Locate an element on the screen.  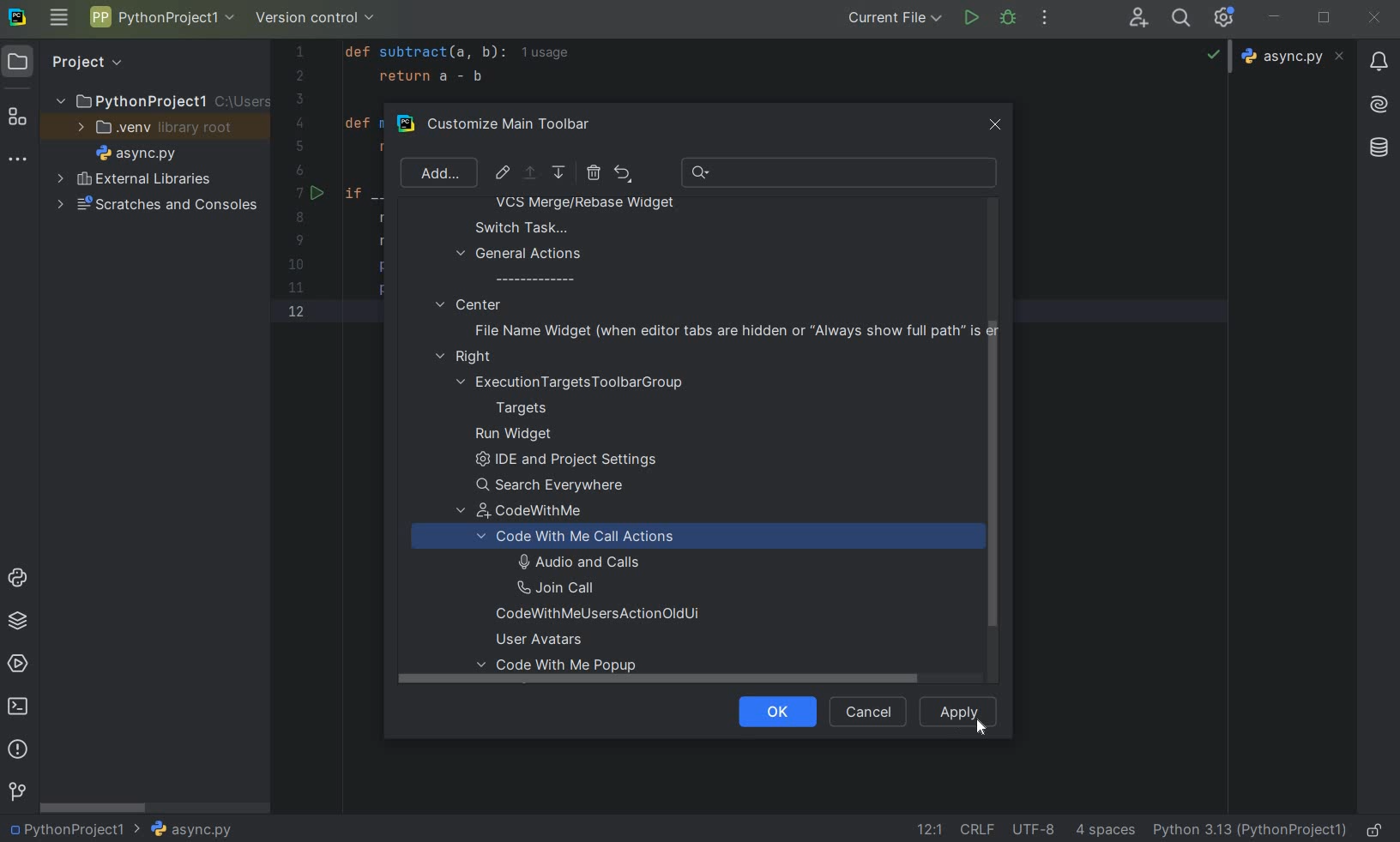
async.py is located at coordinates (1295, 57).